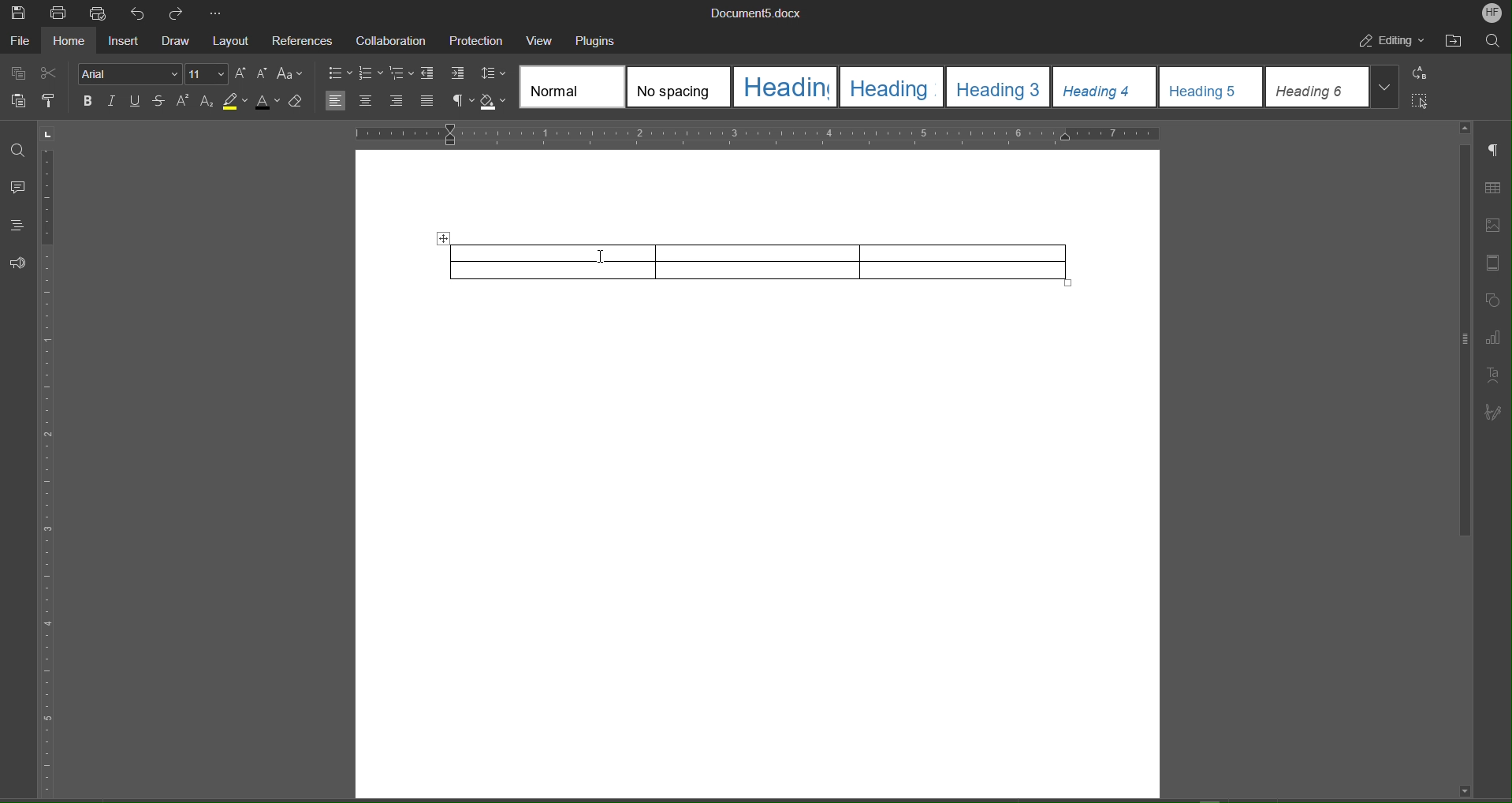 The width and height of the screenshot is (1512, 803). I want to click on Image Settings, so click(1495, 221).